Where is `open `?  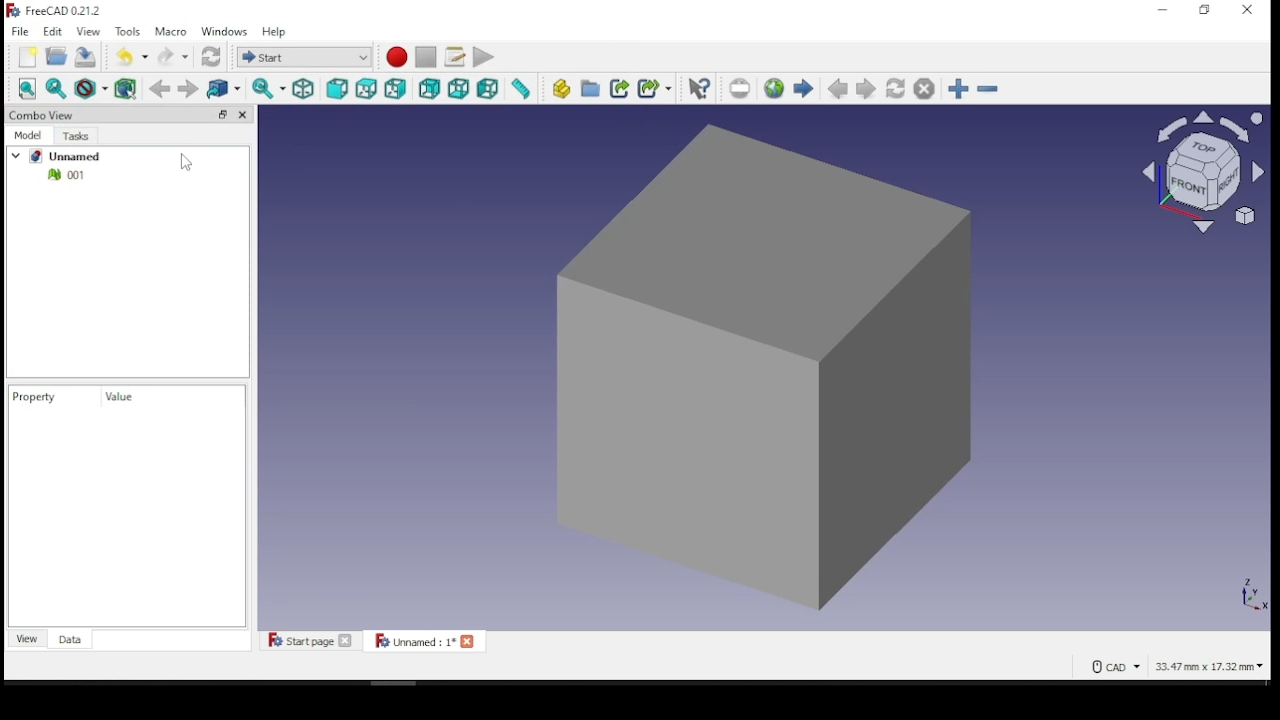
open  is located at coordinates (58, 58).